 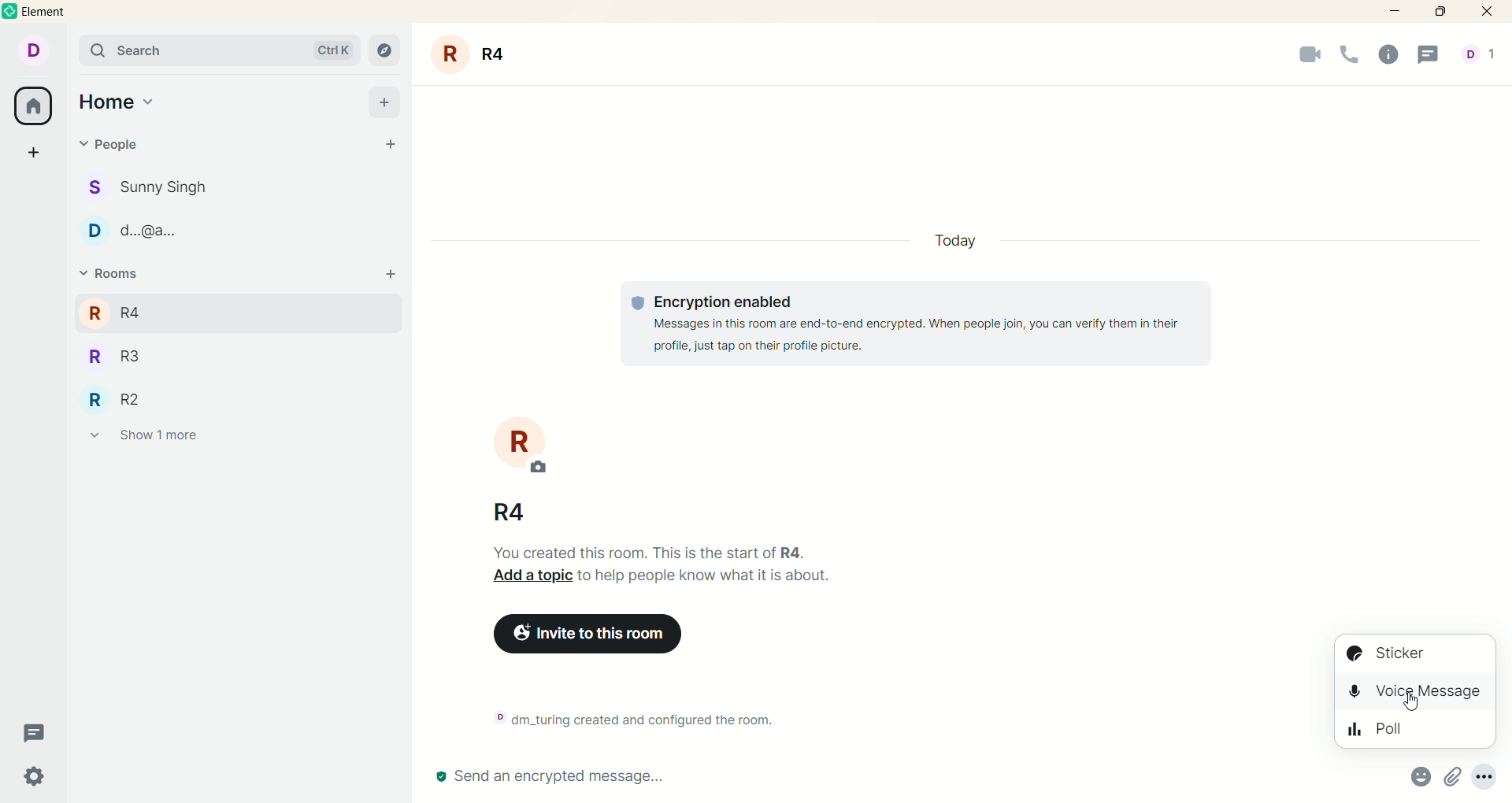 I want to click on maximize, so click(x=1445, y=13).